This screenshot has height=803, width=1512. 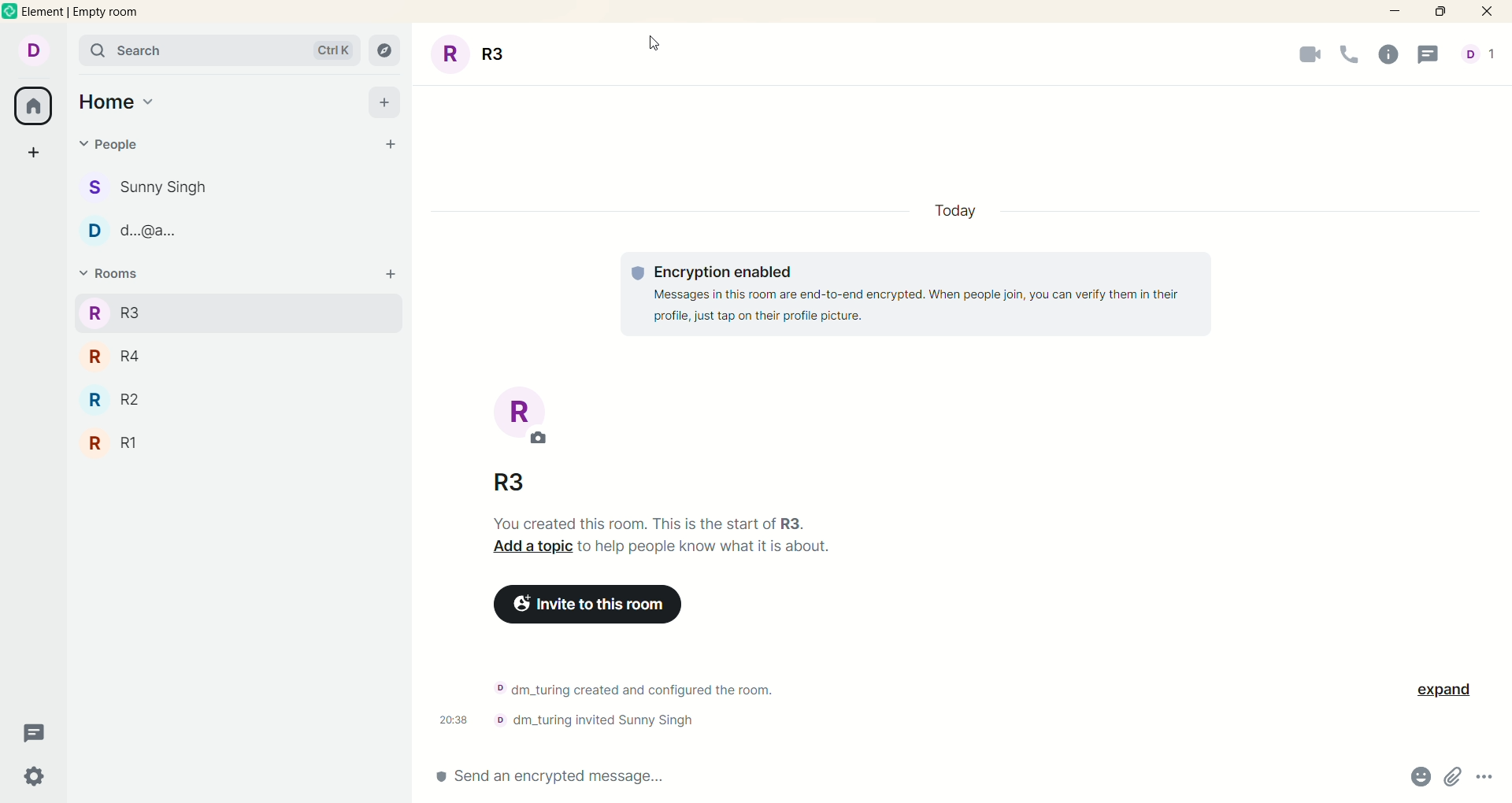 What do you see at coordinates (389, 103) in the screenshot?
I see `add` at bounding box center [389, 103].